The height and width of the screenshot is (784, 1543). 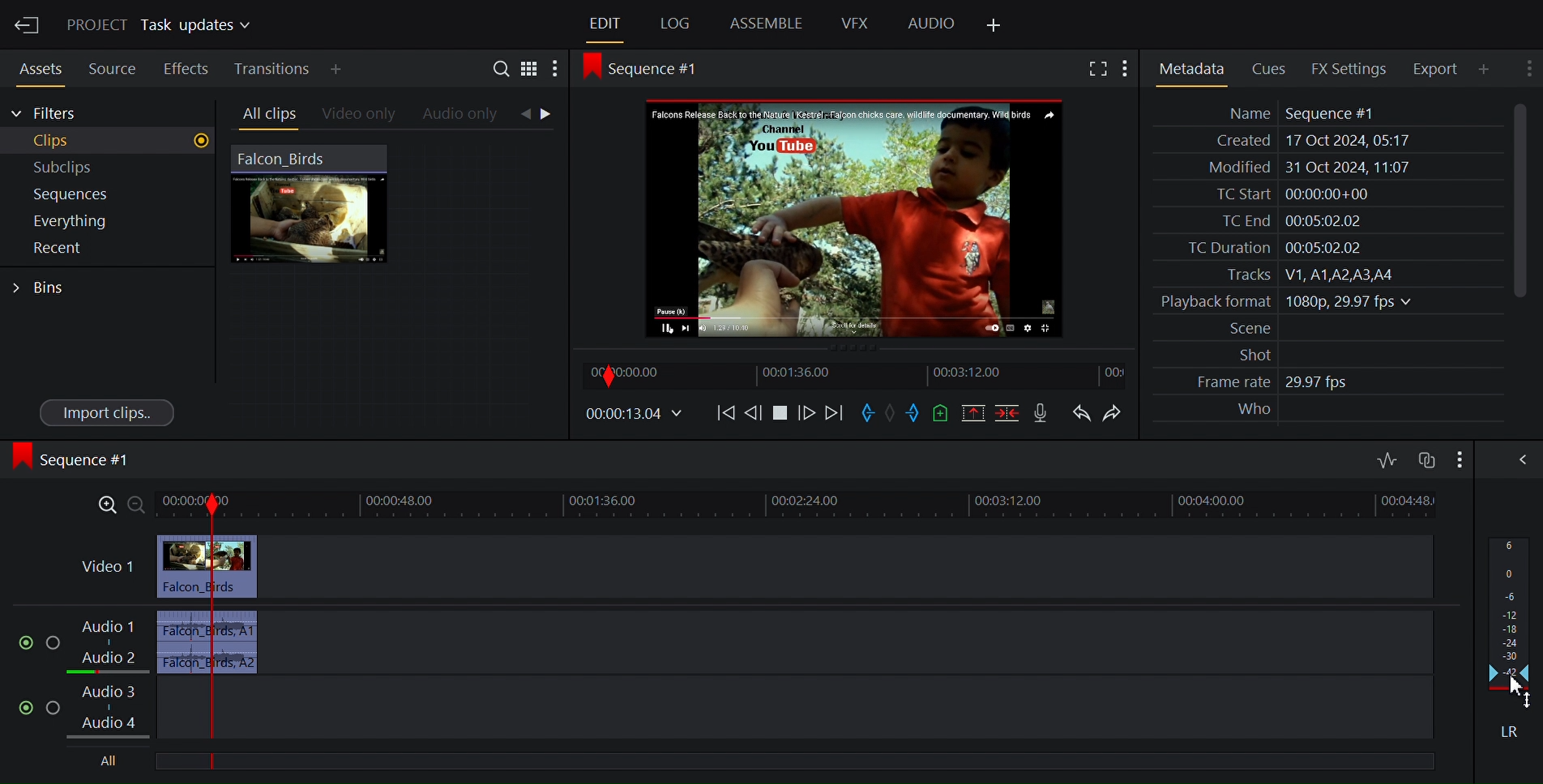 I want to click on Add Panel, so click(x=1483, y=68).